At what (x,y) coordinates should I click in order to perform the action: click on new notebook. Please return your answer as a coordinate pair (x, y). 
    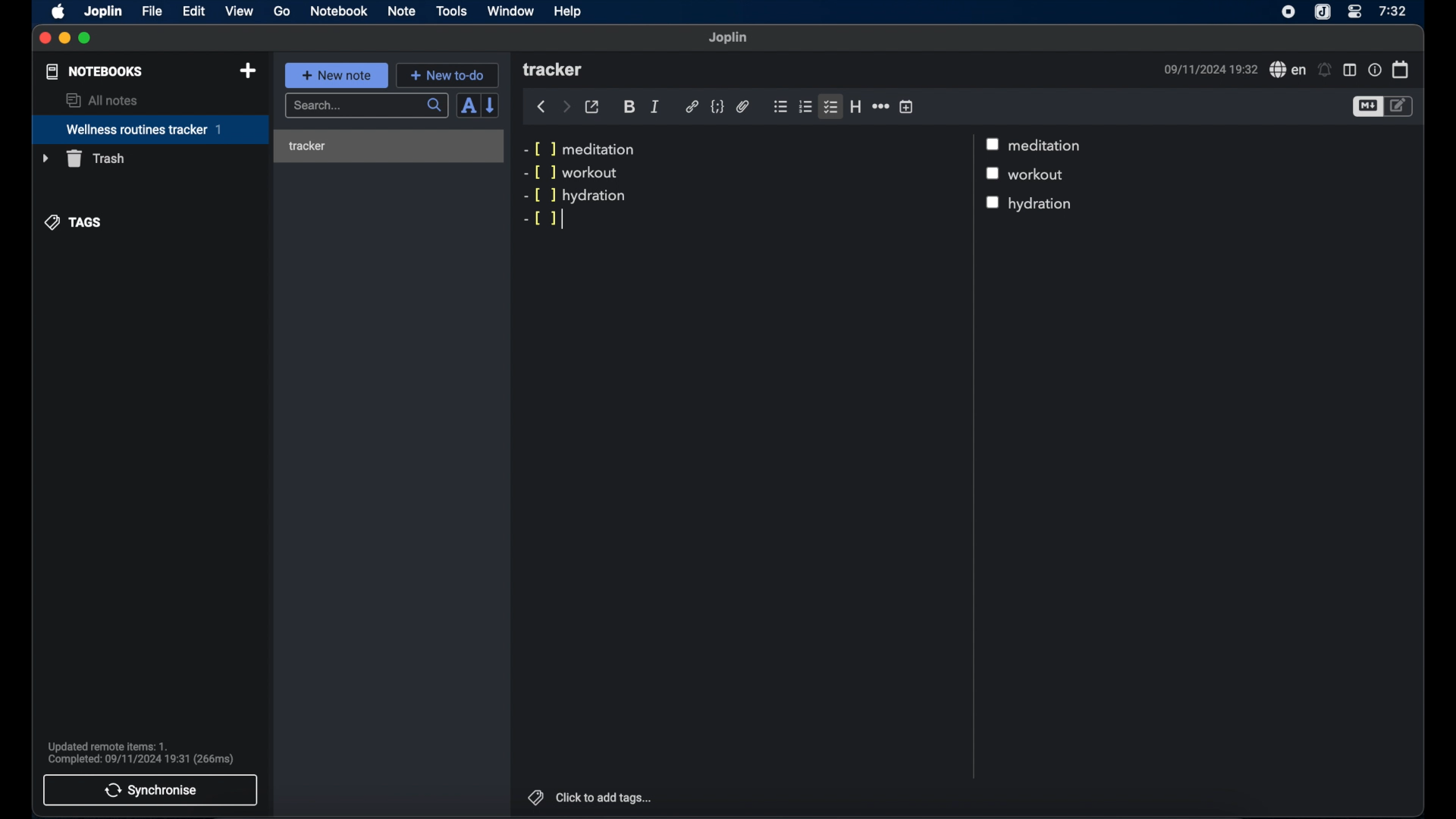
    Looking at the image, I should click on (249, 71).